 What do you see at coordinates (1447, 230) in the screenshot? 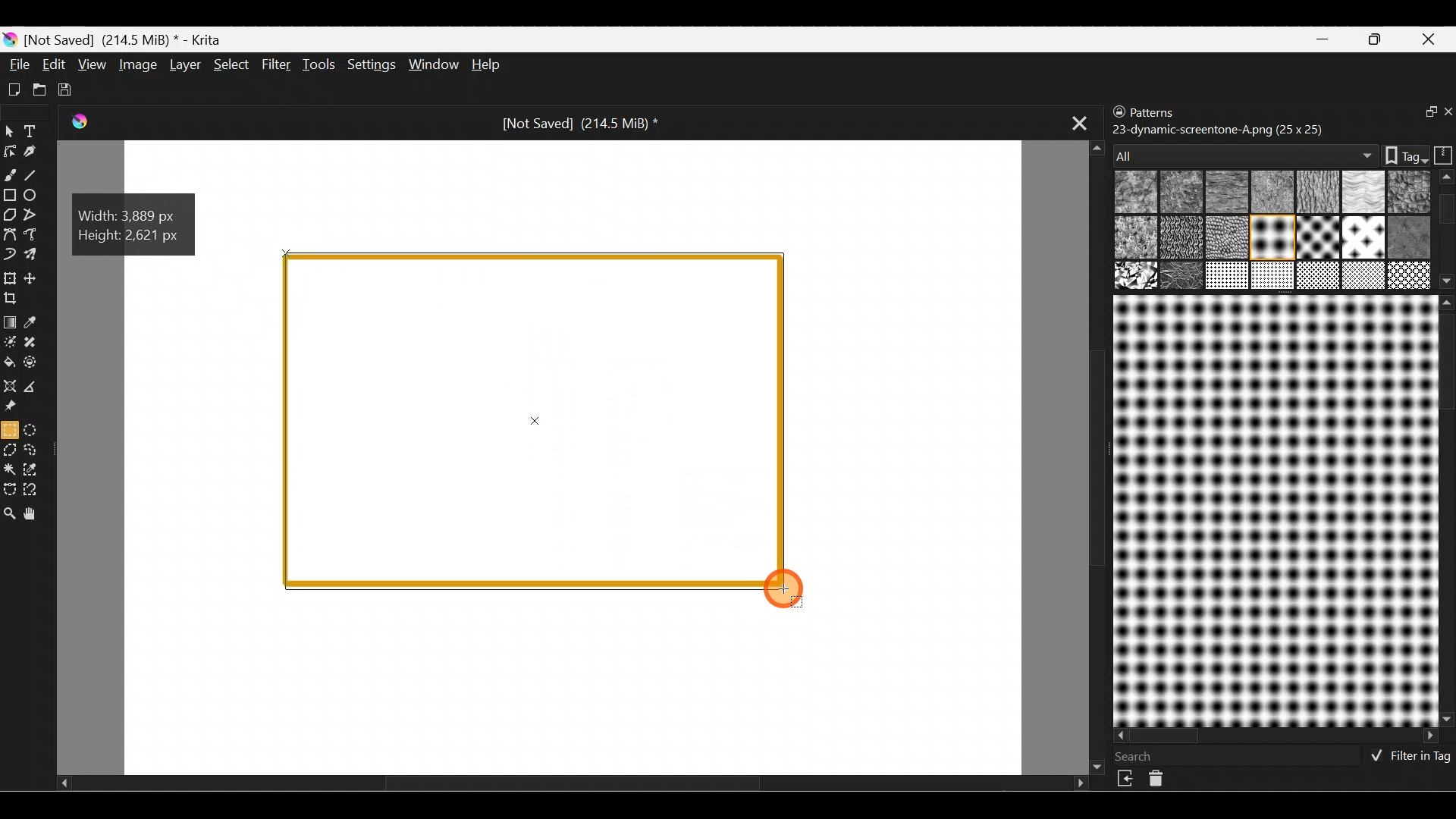
I see `Scroll bar` at bounding box center [1447, 230].